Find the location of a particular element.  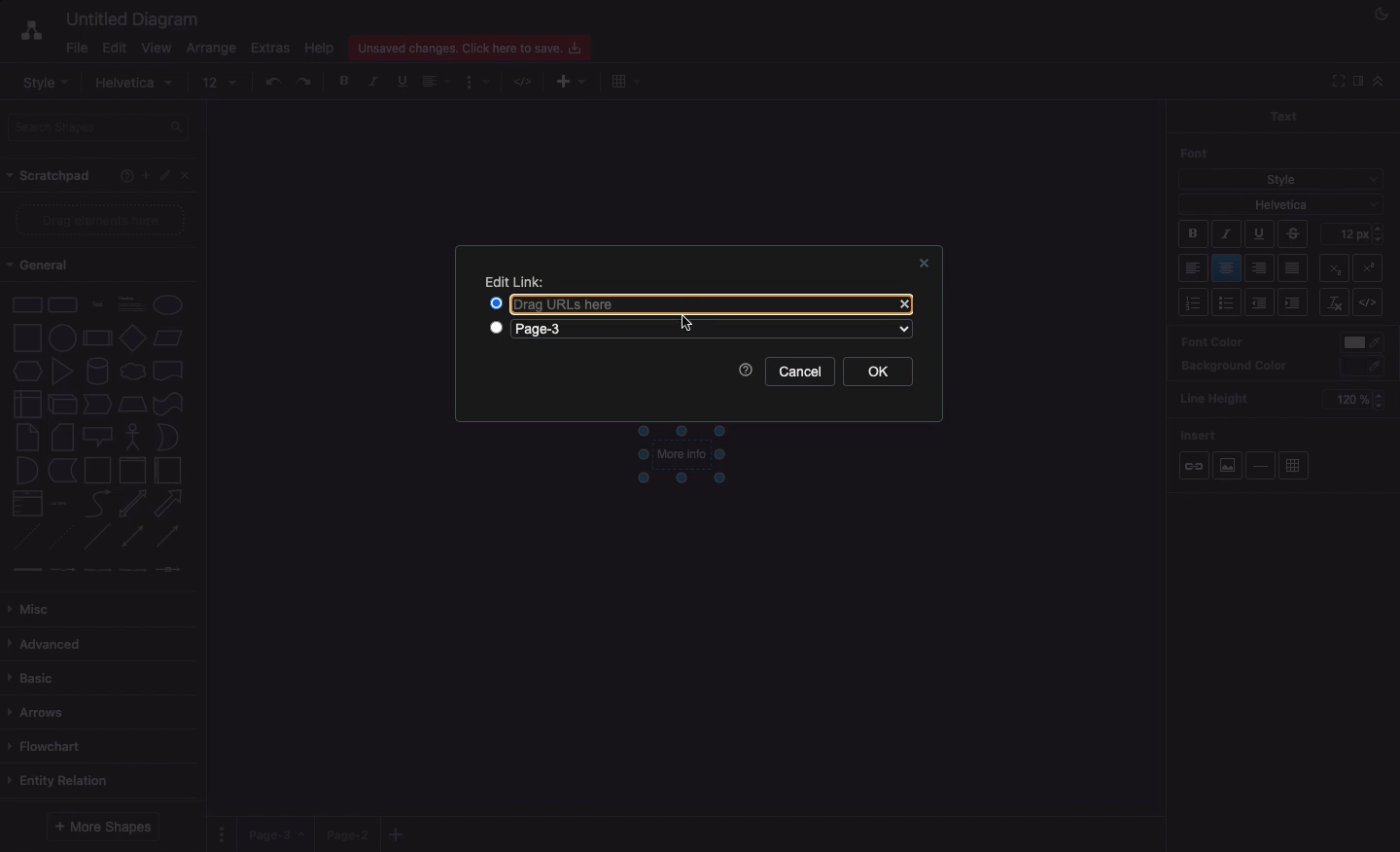

HTML is located at coordinates (525, 83).